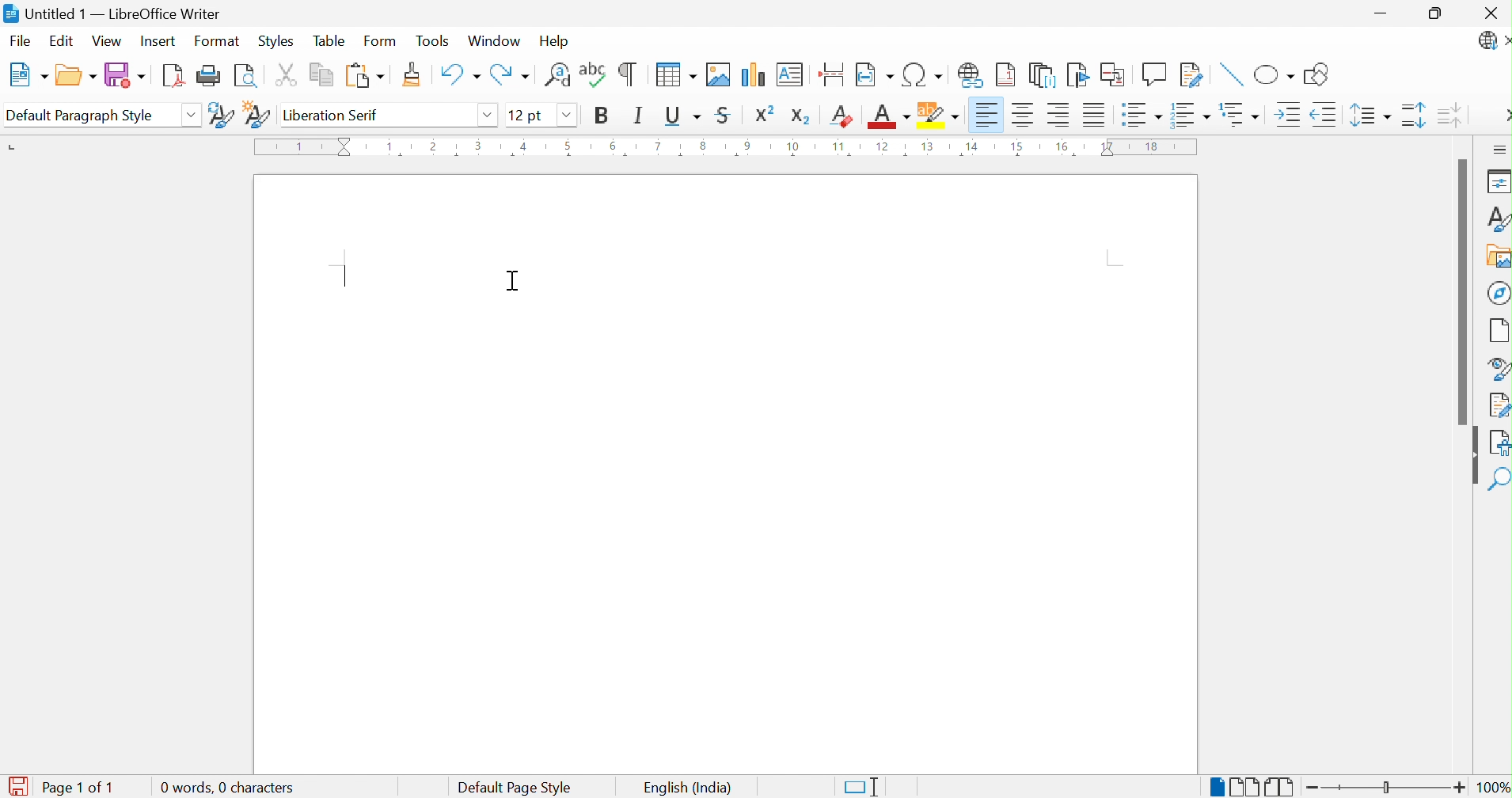 Image resolution: width=1512 pixels, height=798 pixels. I want to click on Form, so click(382, 41).